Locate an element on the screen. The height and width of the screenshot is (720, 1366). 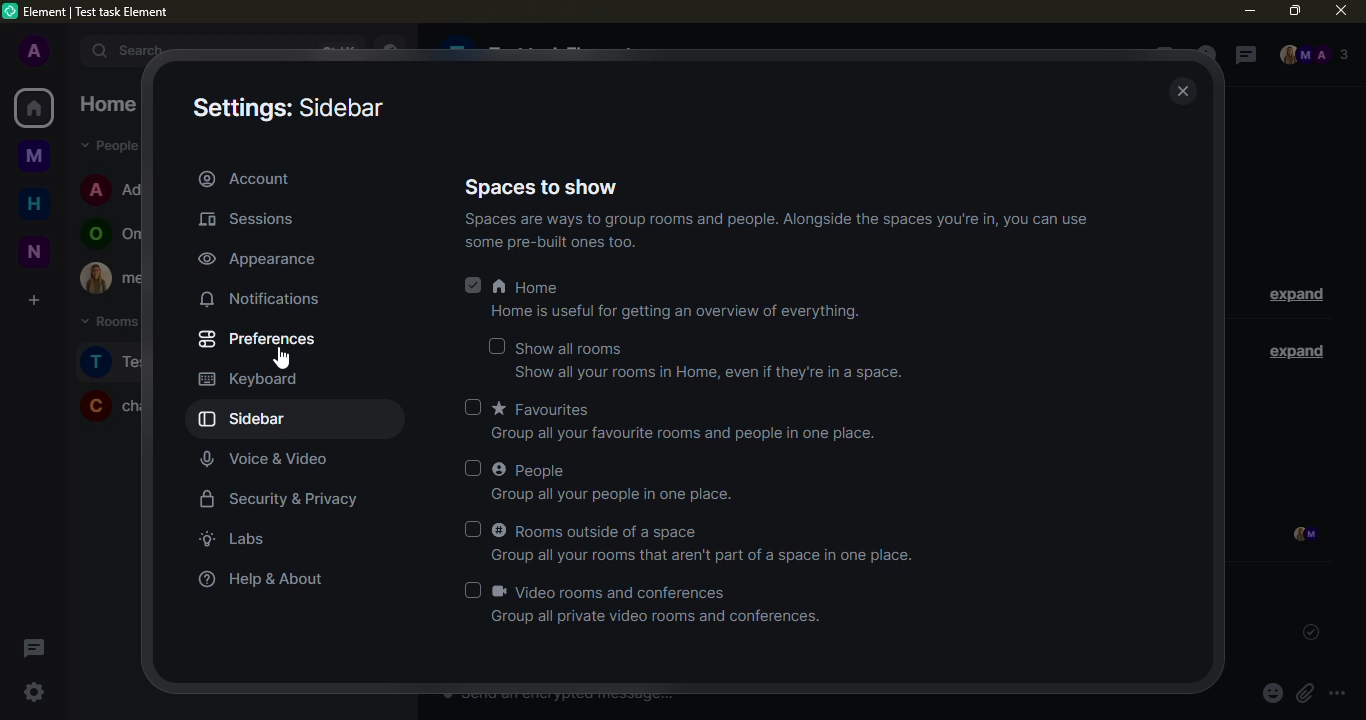
expand is located at coordinates (68, 50).